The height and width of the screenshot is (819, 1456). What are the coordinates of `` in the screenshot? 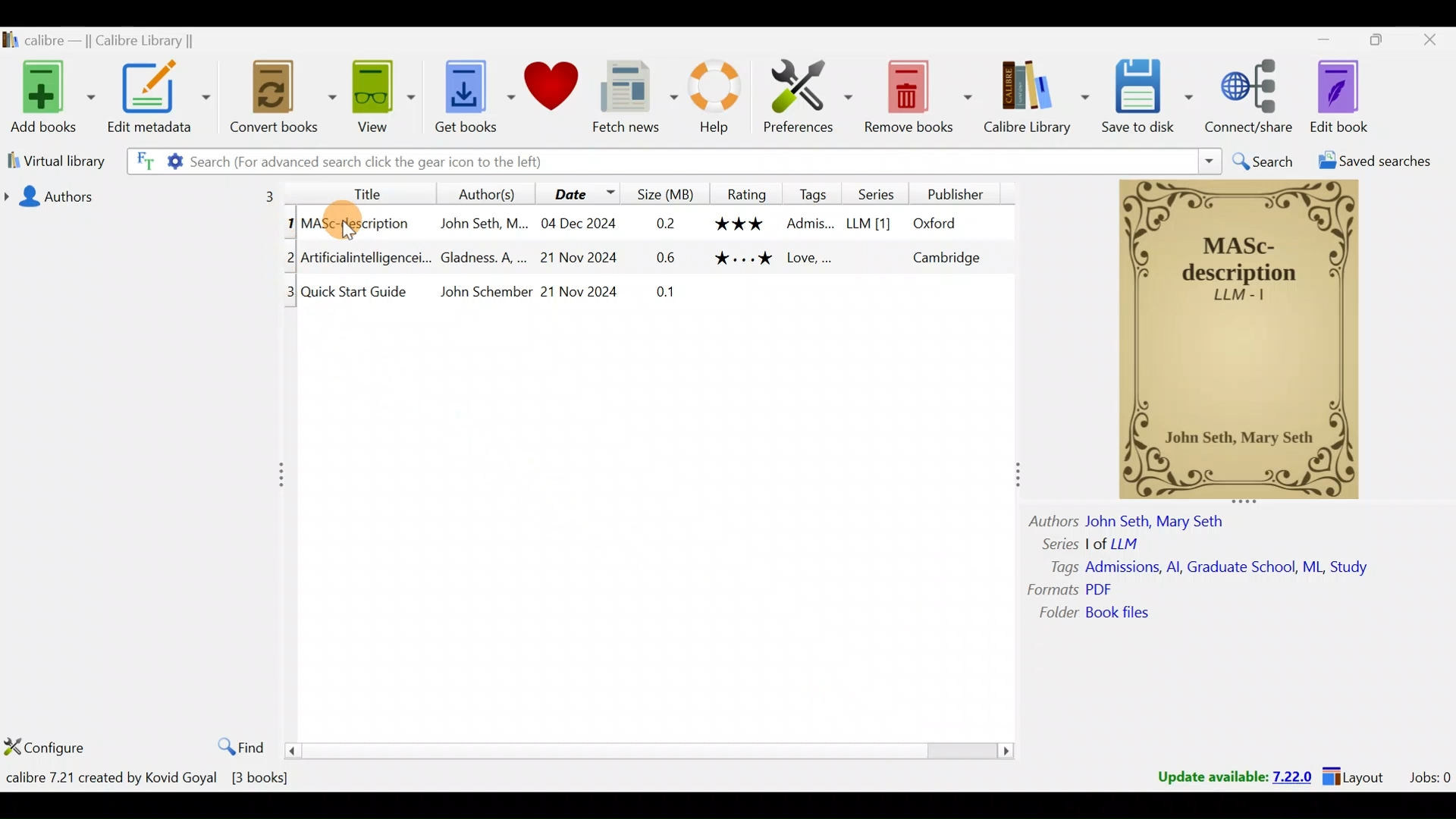 It's located at (1053, 590).